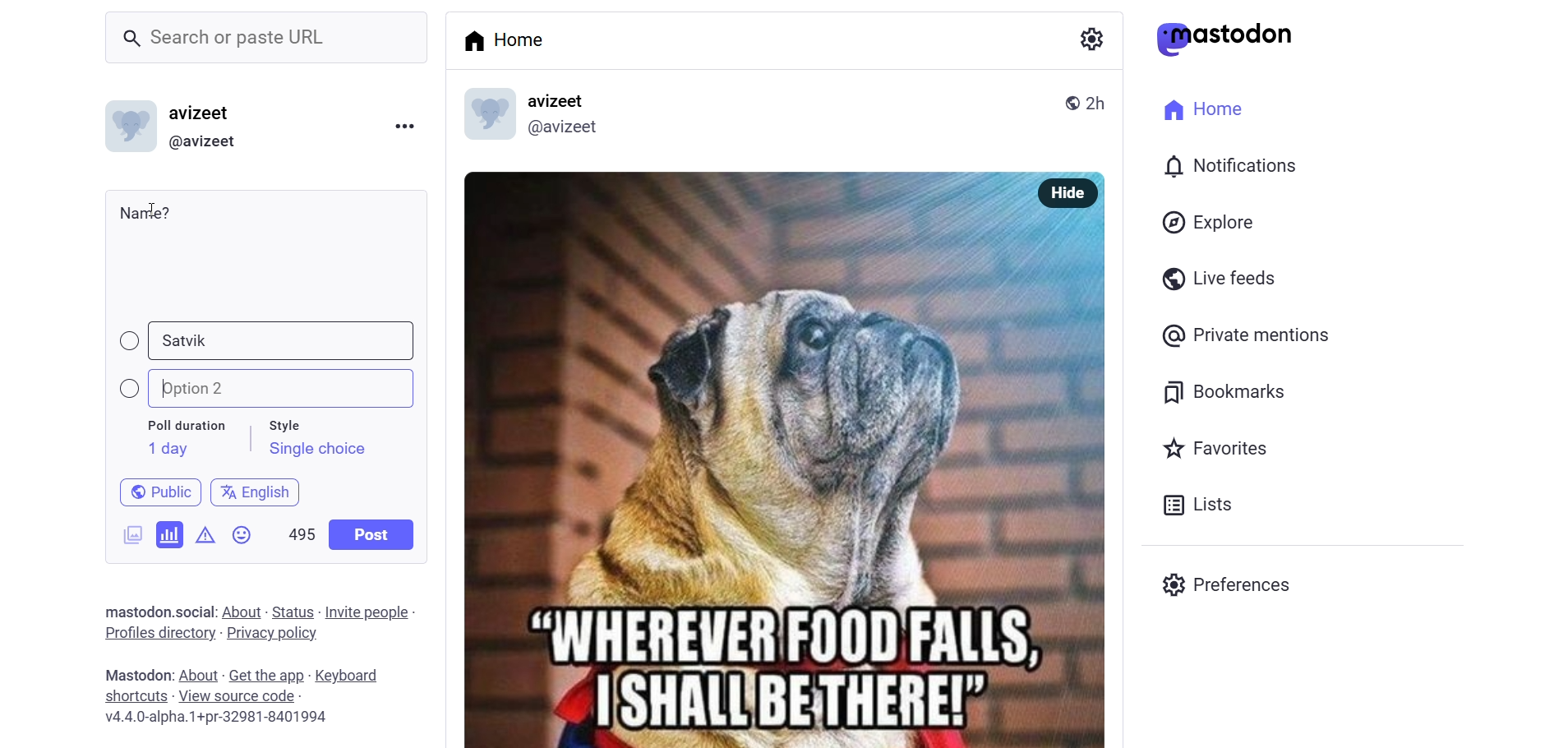 Image resolution: width=1568 pixels, height=748 pixels. I want to click on preferences, so click(1231, 582).